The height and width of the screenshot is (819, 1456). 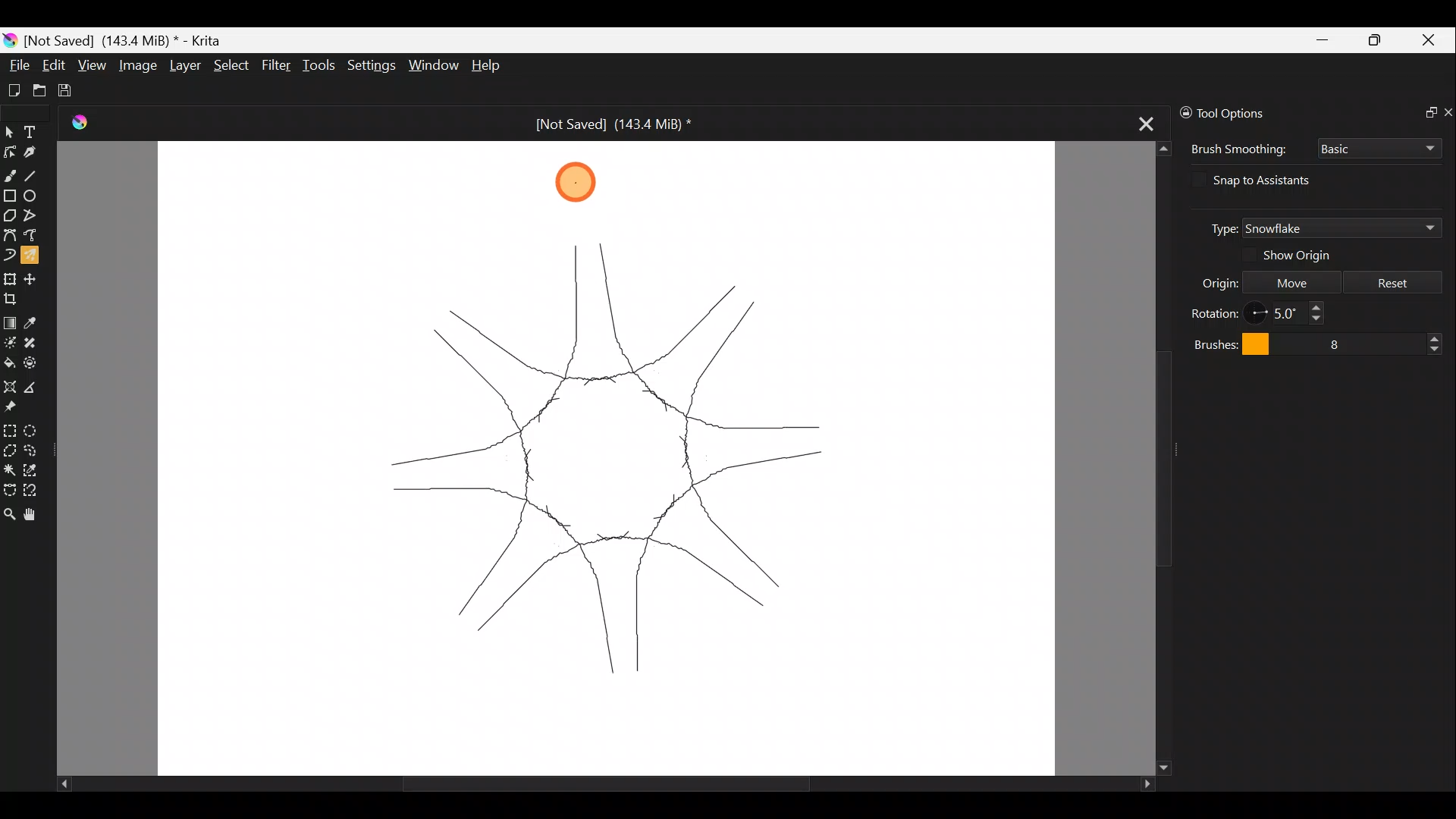 What do you see at coordinates (31, 196) in the screenshot?
I see `Ellipse` at bounding box center [31, 196].